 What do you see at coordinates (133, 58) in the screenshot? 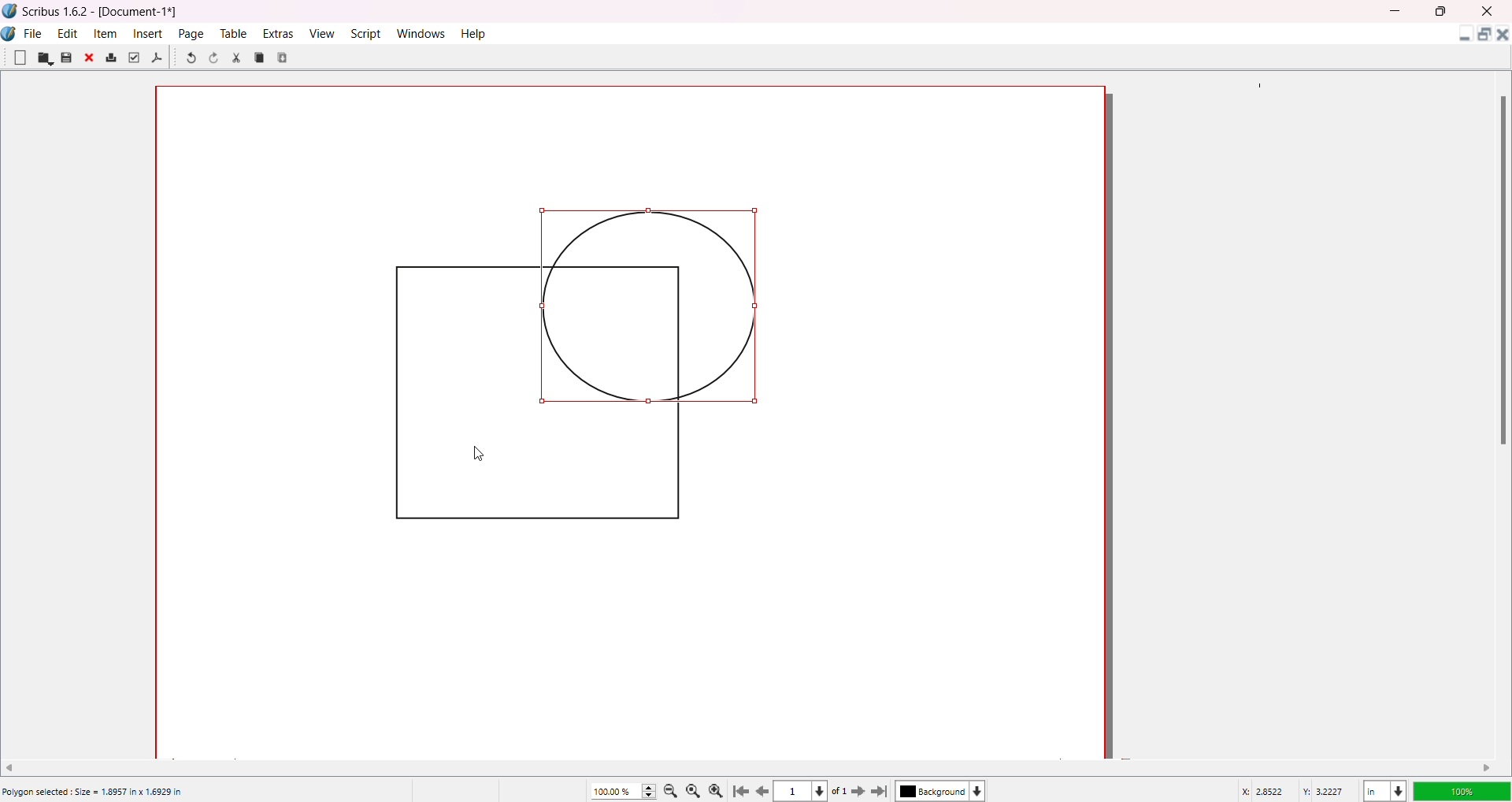
I see `Preflight Verifier` at bounding box center [133, 58].